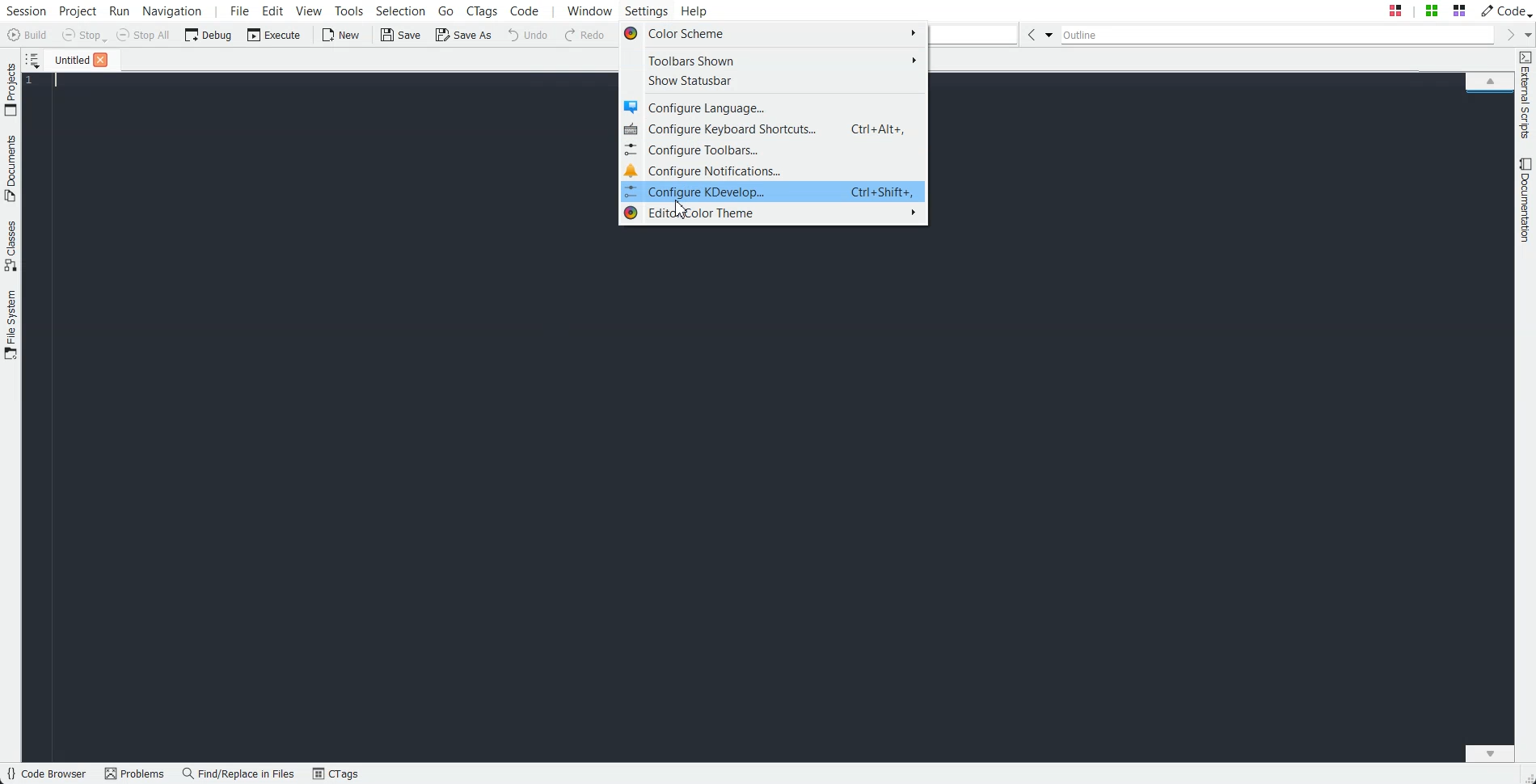  Describe the element at coordinates (11, 327) in the screenshot. I see `File System` at that location.